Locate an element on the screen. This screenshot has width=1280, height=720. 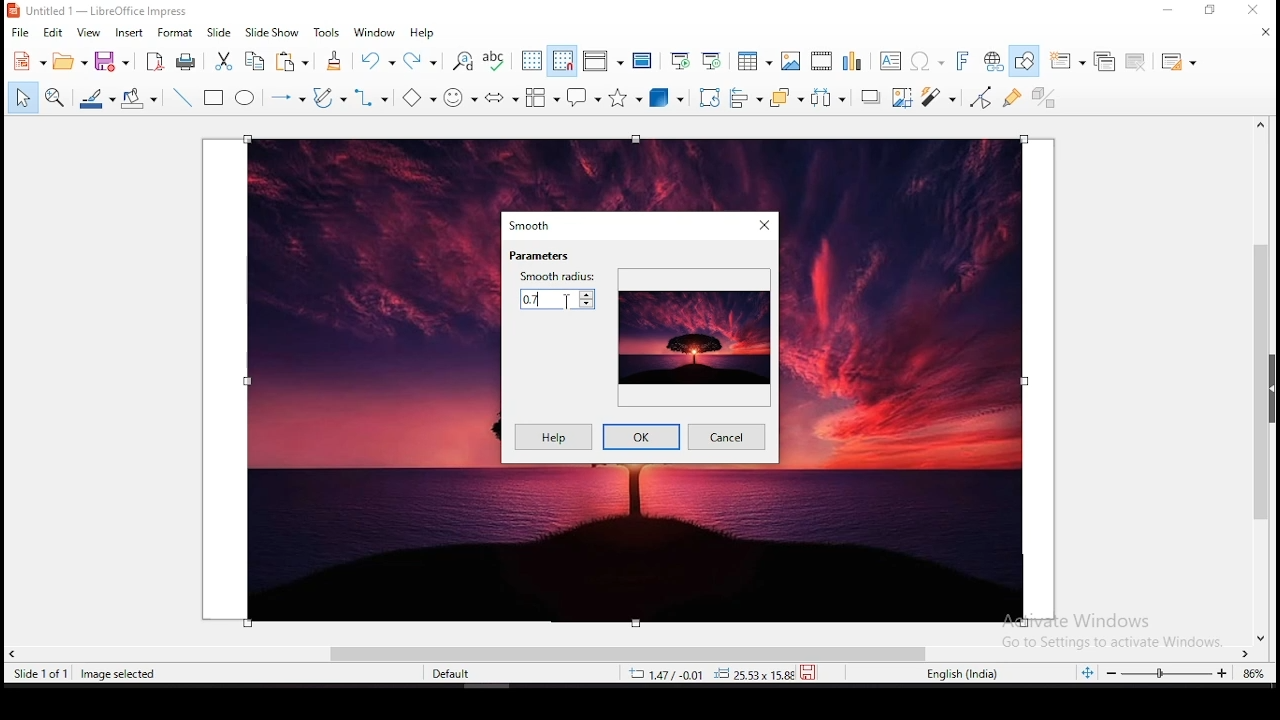
tables is located at coordinates (752, 61).